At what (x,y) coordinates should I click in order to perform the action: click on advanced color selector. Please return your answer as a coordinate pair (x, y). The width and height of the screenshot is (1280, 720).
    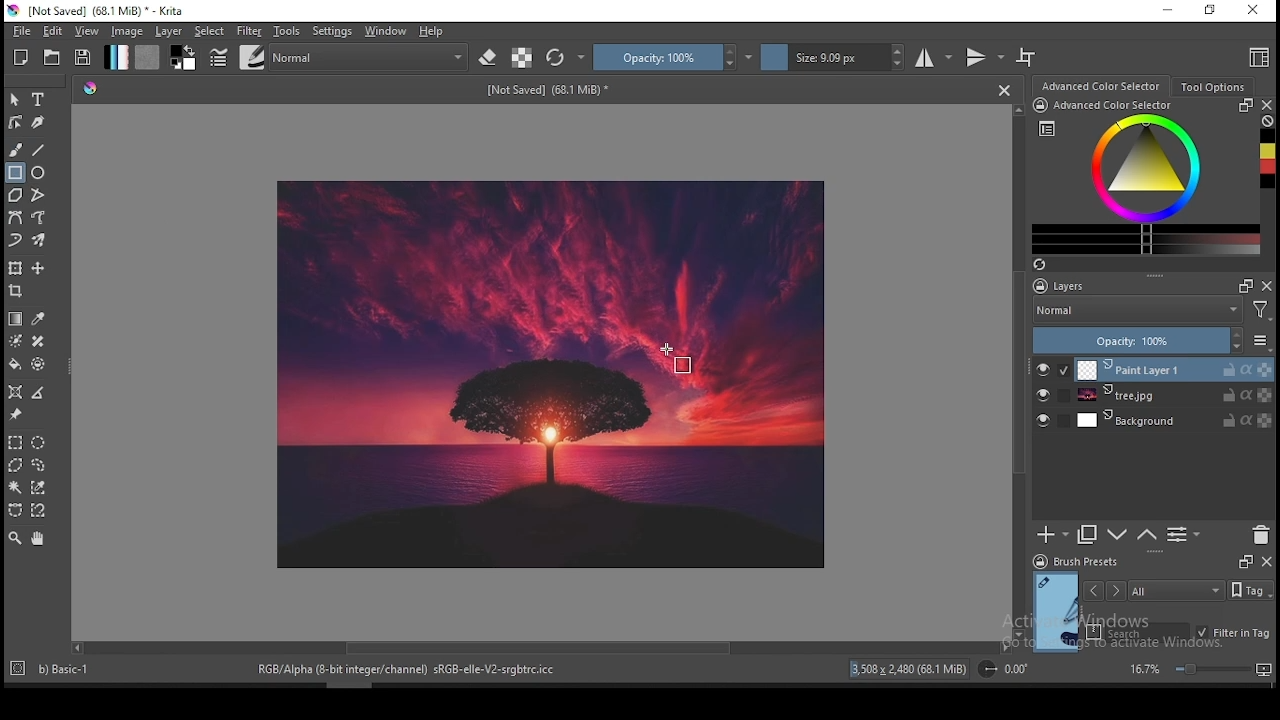
    Looking at the image, I should click on (1146, 177).